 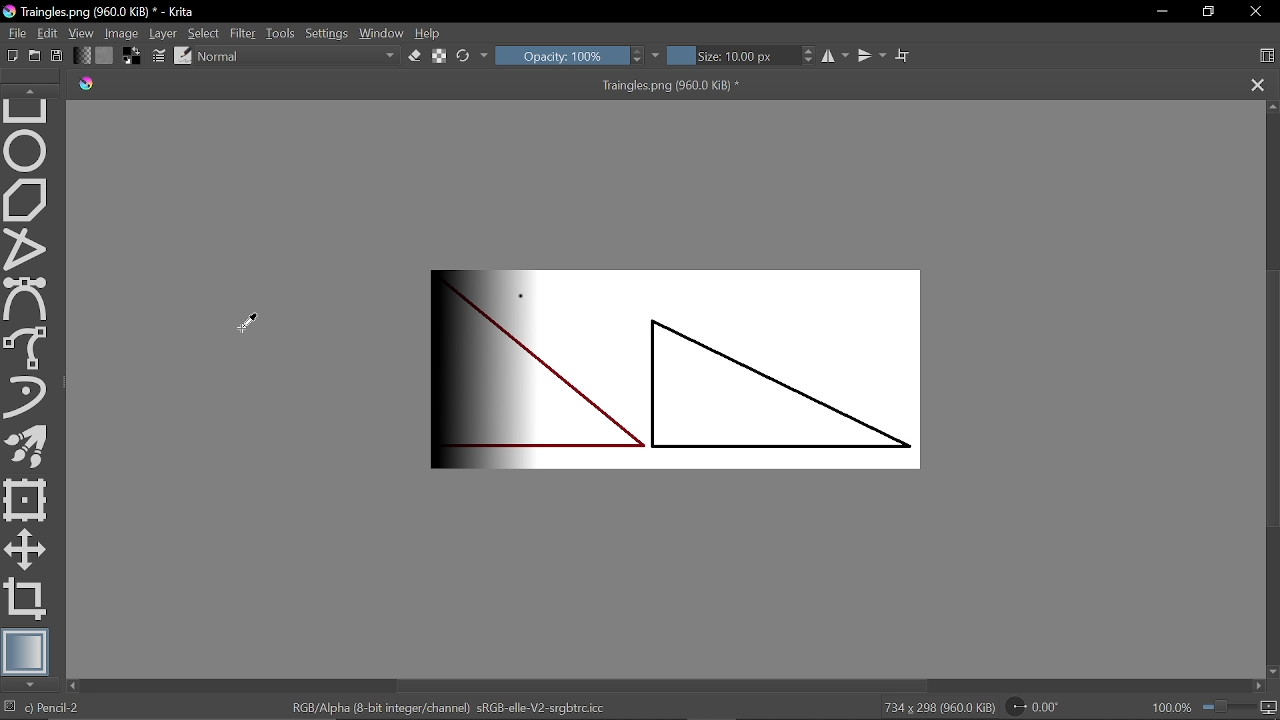 I want to click on View, so click(x=81, y=32).